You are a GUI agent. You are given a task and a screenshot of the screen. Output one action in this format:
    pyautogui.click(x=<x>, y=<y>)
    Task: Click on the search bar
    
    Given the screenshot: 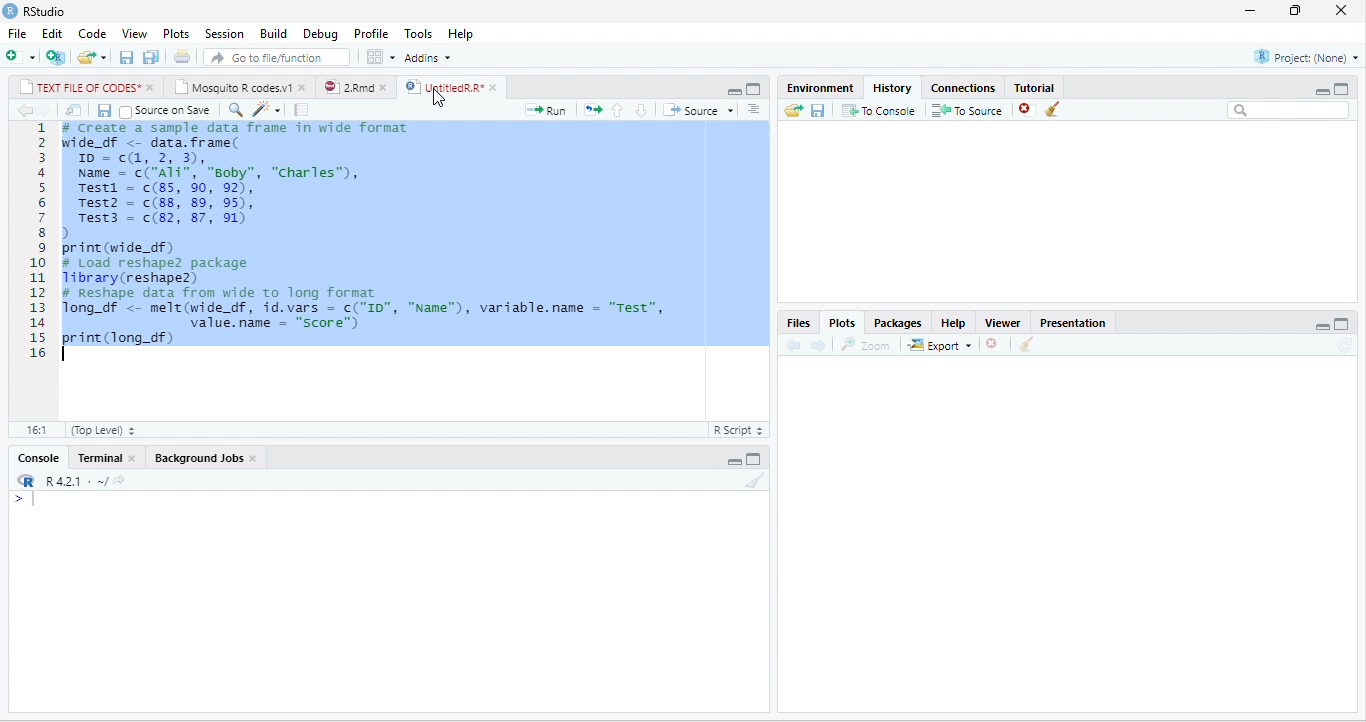 What is the action you would take?
    pyautogui.click(x=1290, y=110)
    